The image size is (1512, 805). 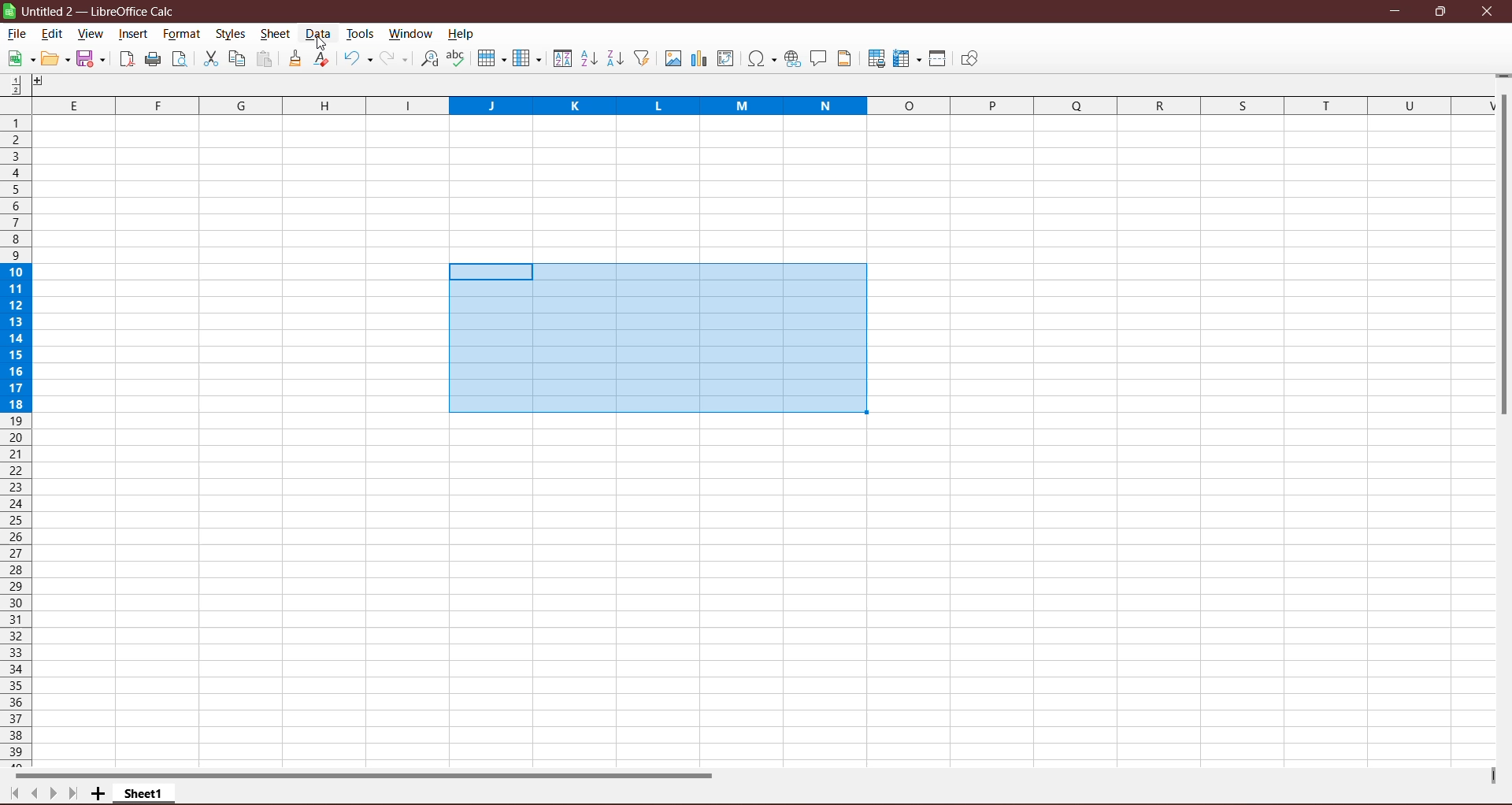 What do you see at coordinates (458, 58) in the screenshot?
I see `Spelling` at bounding box center [458, 58].